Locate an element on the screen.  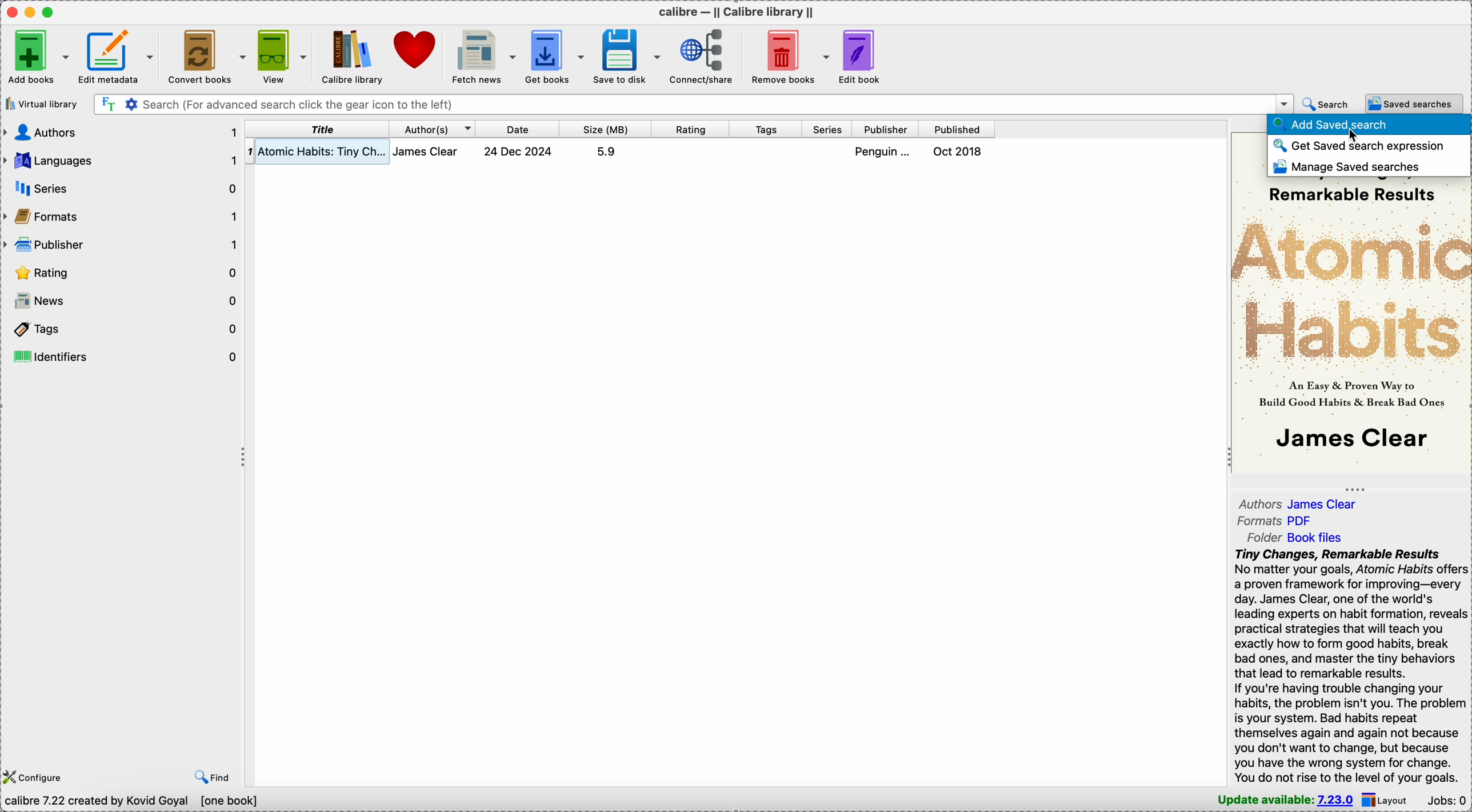
remove books is located at coordinates (791, 55).